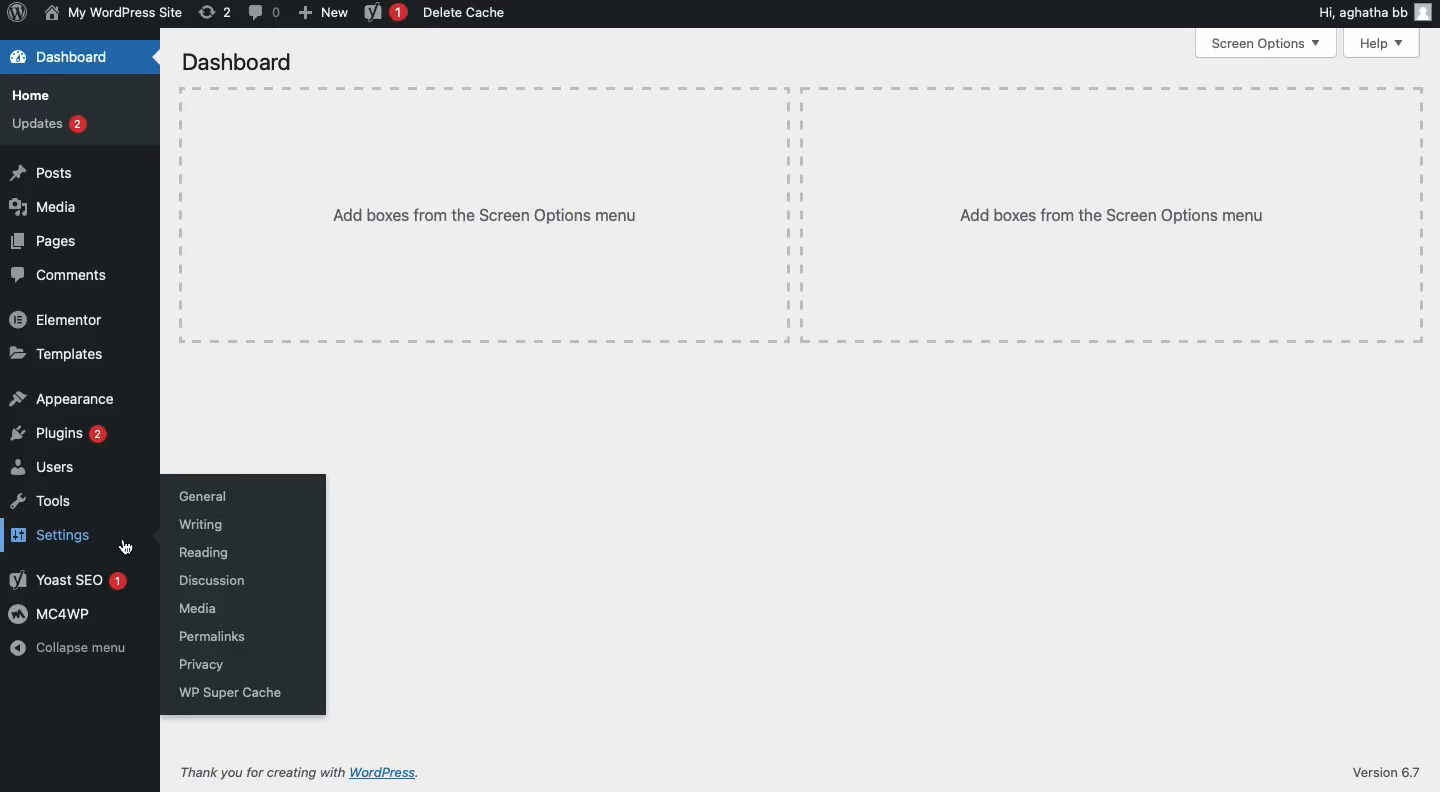 Image resolution: width=1440 pixels, height=792 pixels. Describe the element at coordinates (40, 501) in the screenshot. I see `Tools` at that location.